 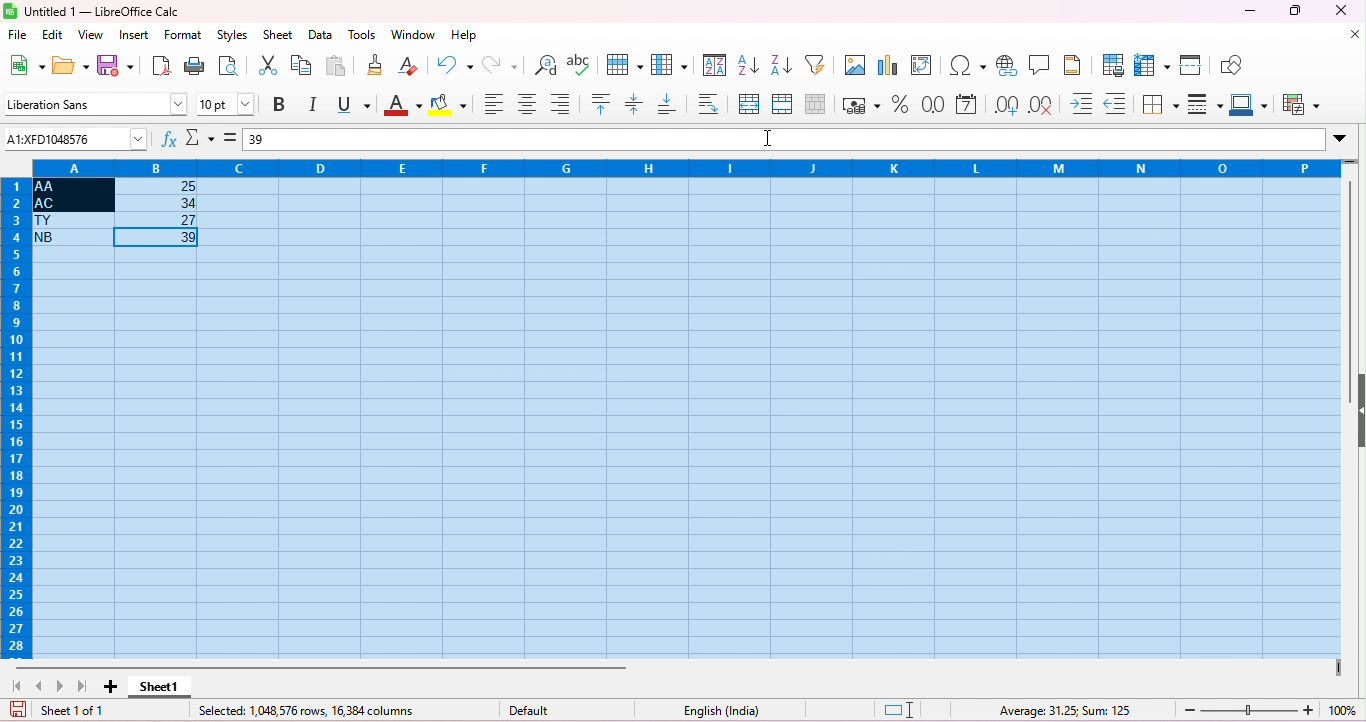 I want to click on tools, so click(x=361, y=35).